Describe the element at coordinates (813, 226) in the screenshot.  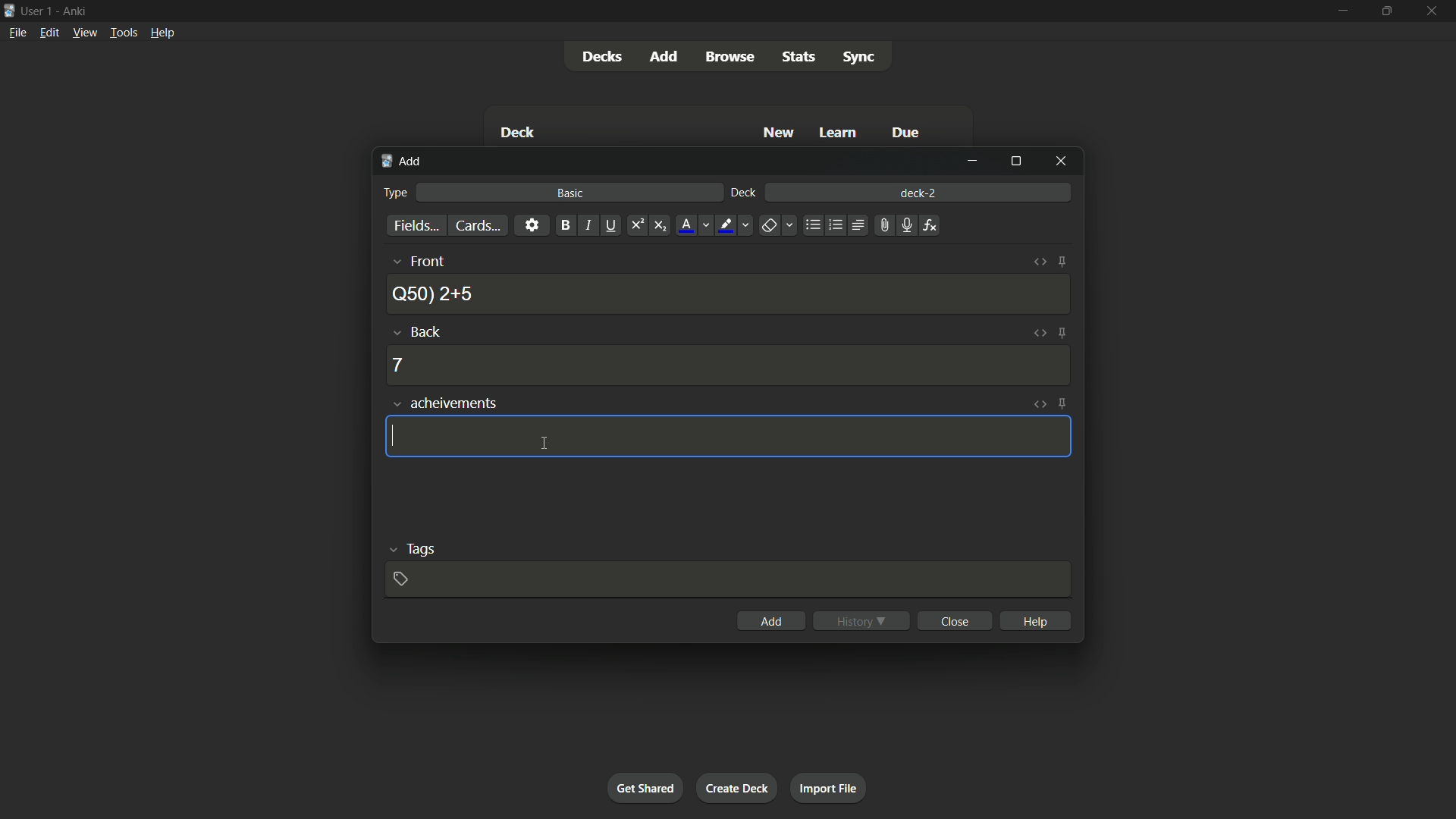
I see `unordered list` at that location.